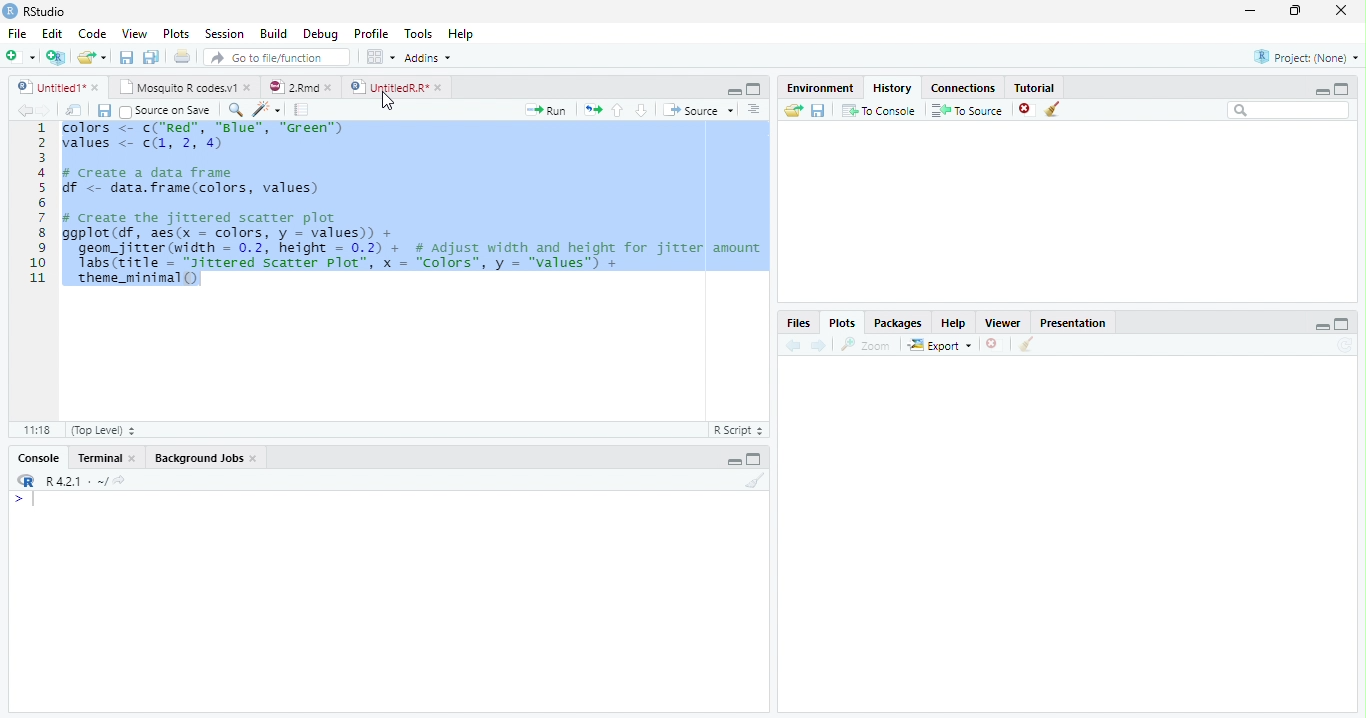  I want to click on Save current document, so click(127, 57).